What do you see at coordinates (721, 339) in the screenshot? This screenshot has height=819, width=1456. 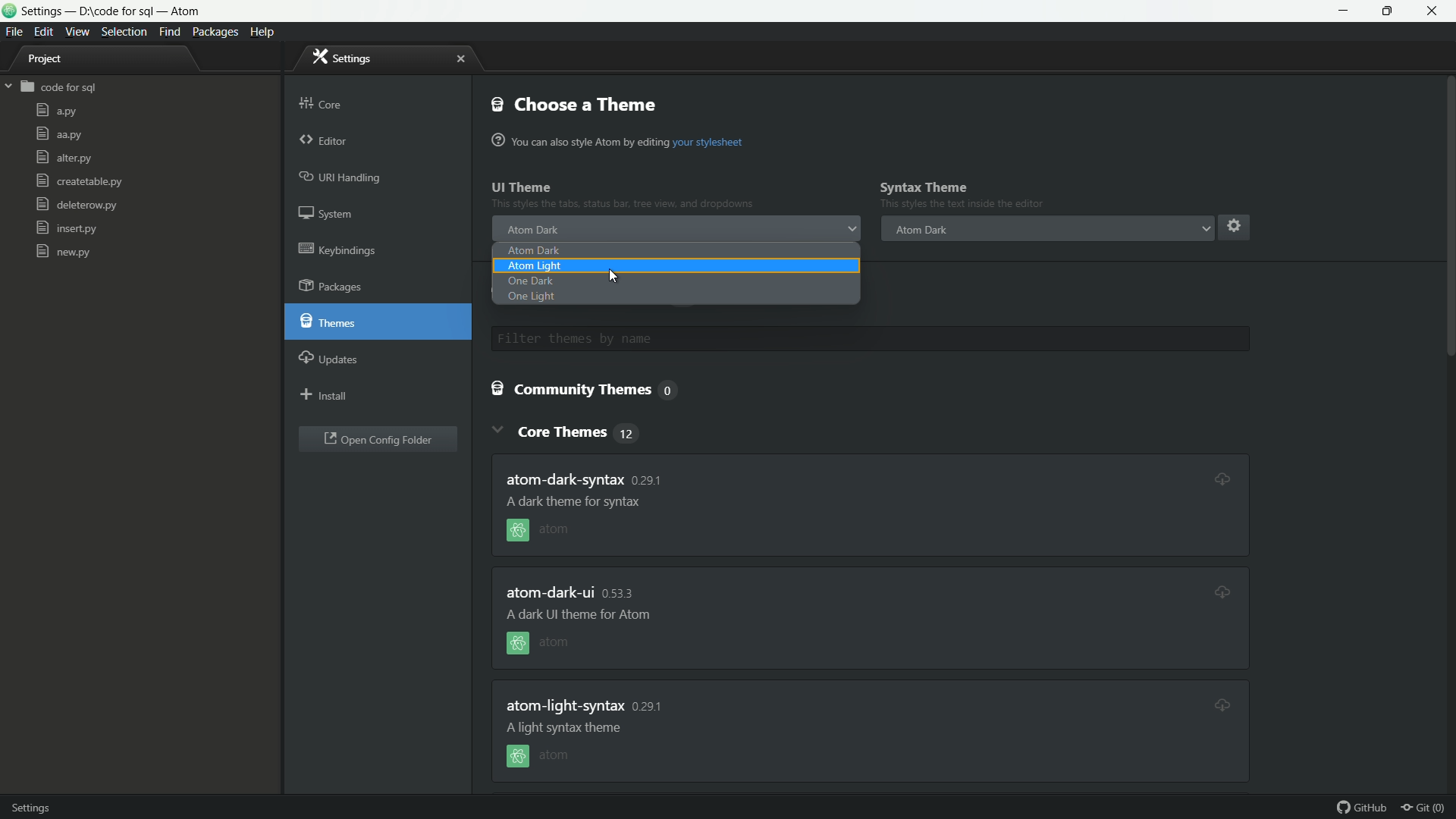 I see `filter themes by name` at bounding box center [721, 339].